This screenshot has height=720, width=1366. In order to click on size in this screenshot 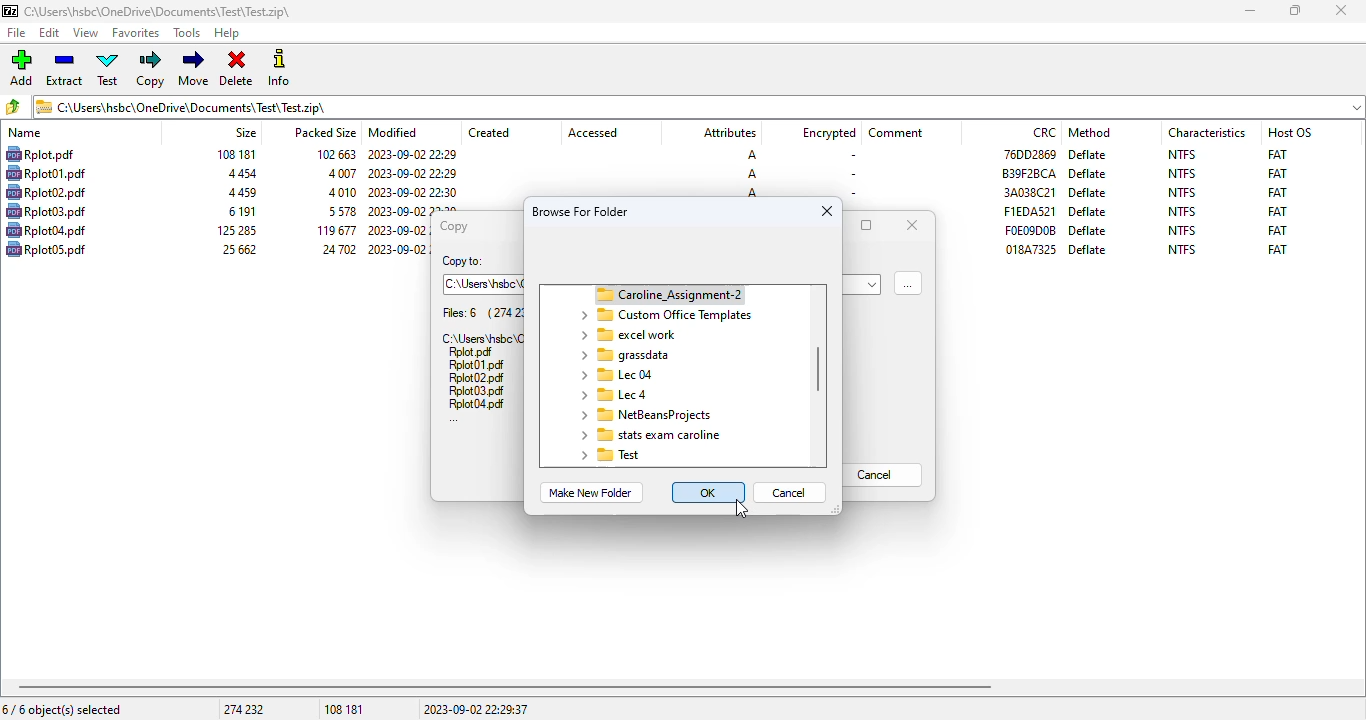, I will do `click(239, 174)`.